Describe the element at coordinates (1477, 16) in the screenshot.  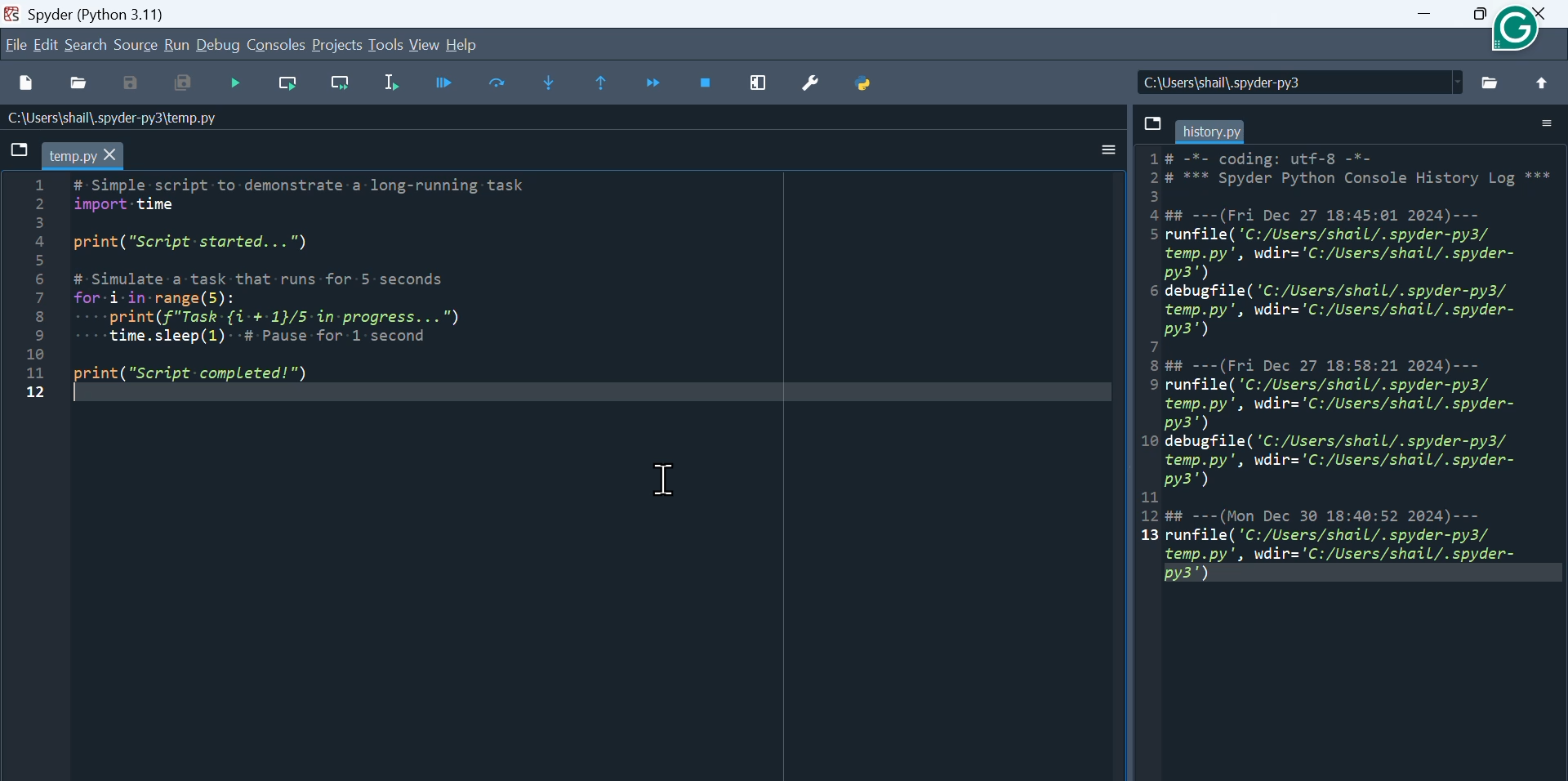
I see `maximize` at that location.